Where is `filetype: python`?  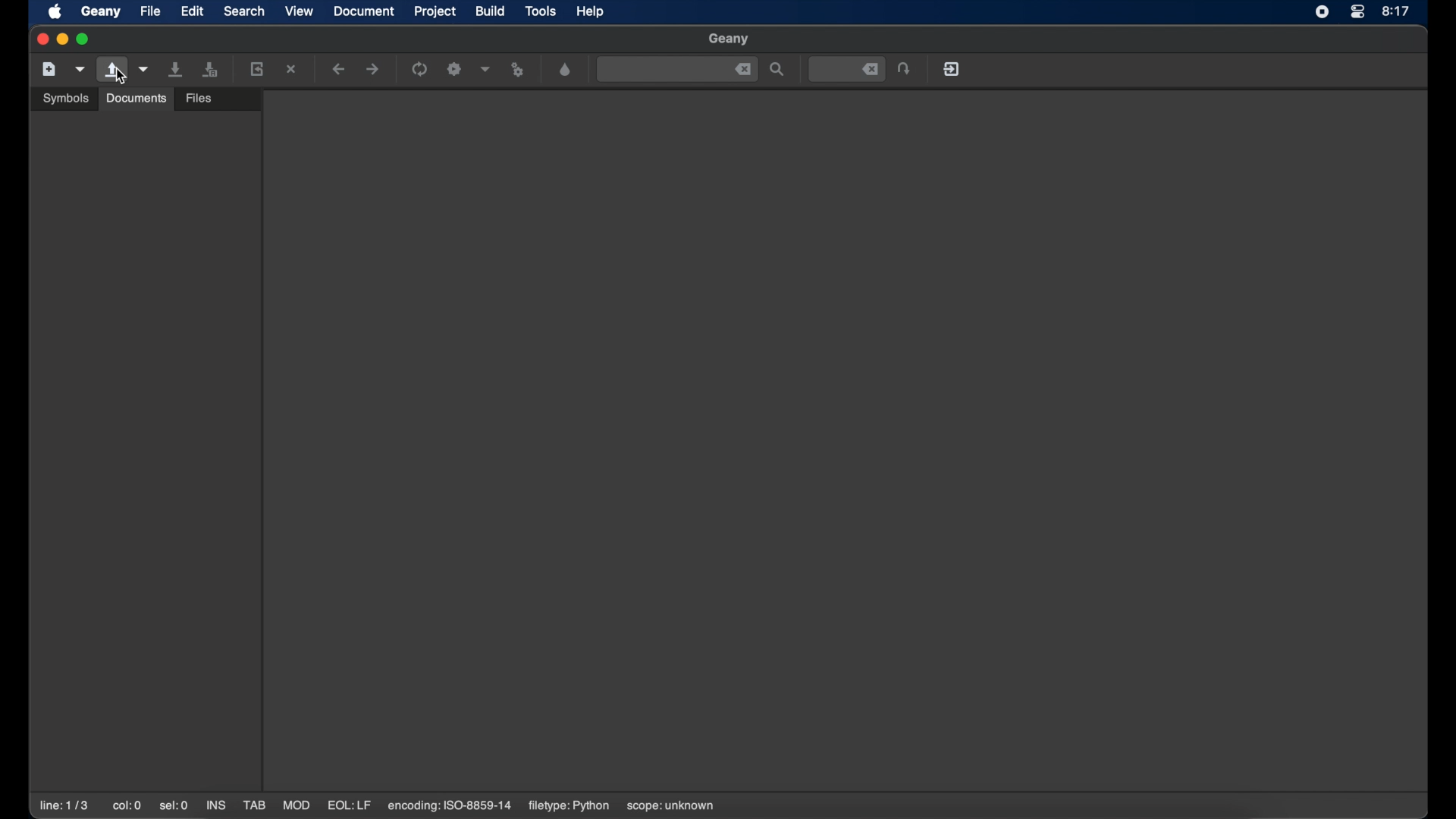 filetype: python is located at coordinates (569, 806).